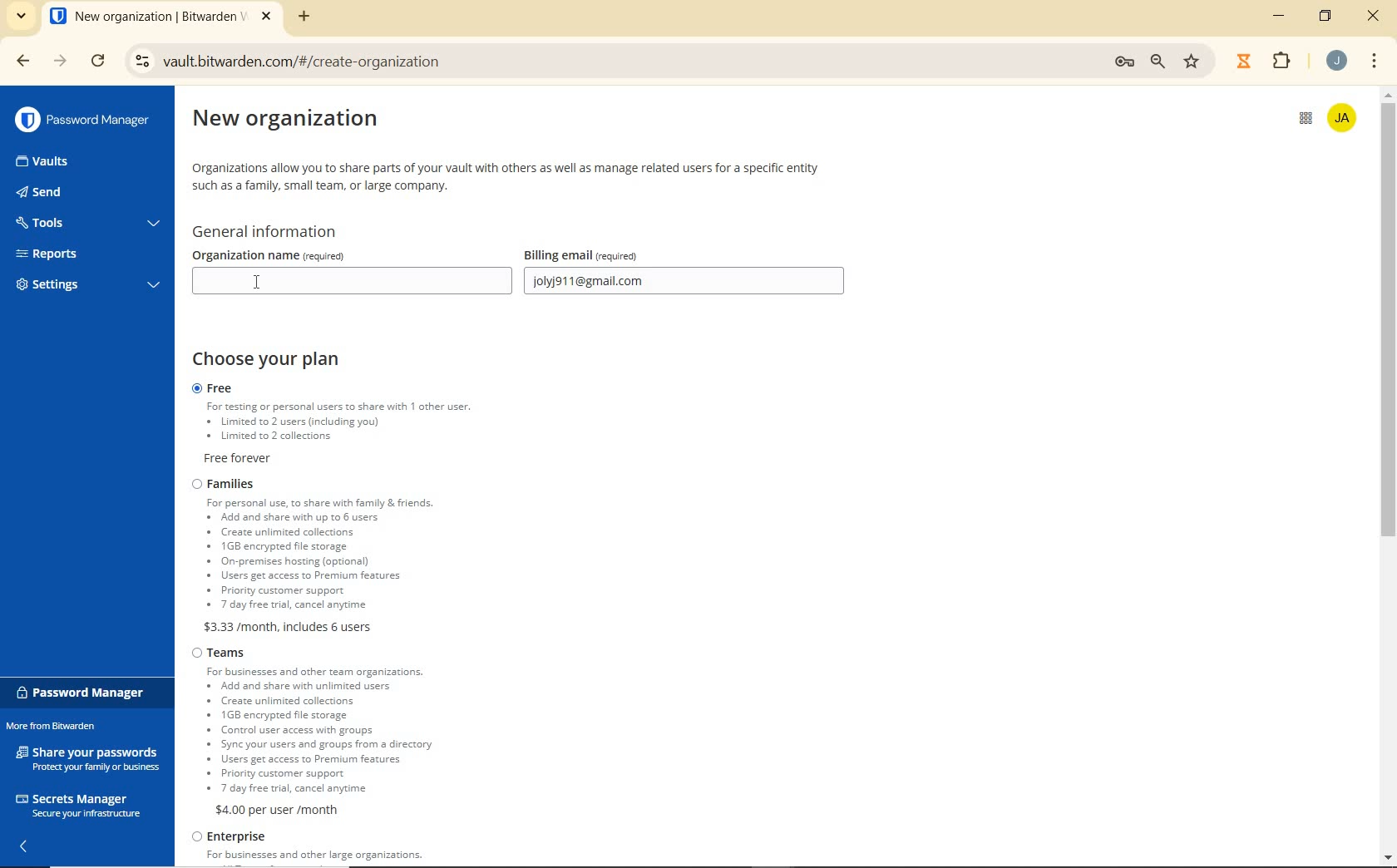 This screenshot has height=868, width=1397. Describe the element at coordinates (15, 61) in the screenshot. I see `BACK` at that location.